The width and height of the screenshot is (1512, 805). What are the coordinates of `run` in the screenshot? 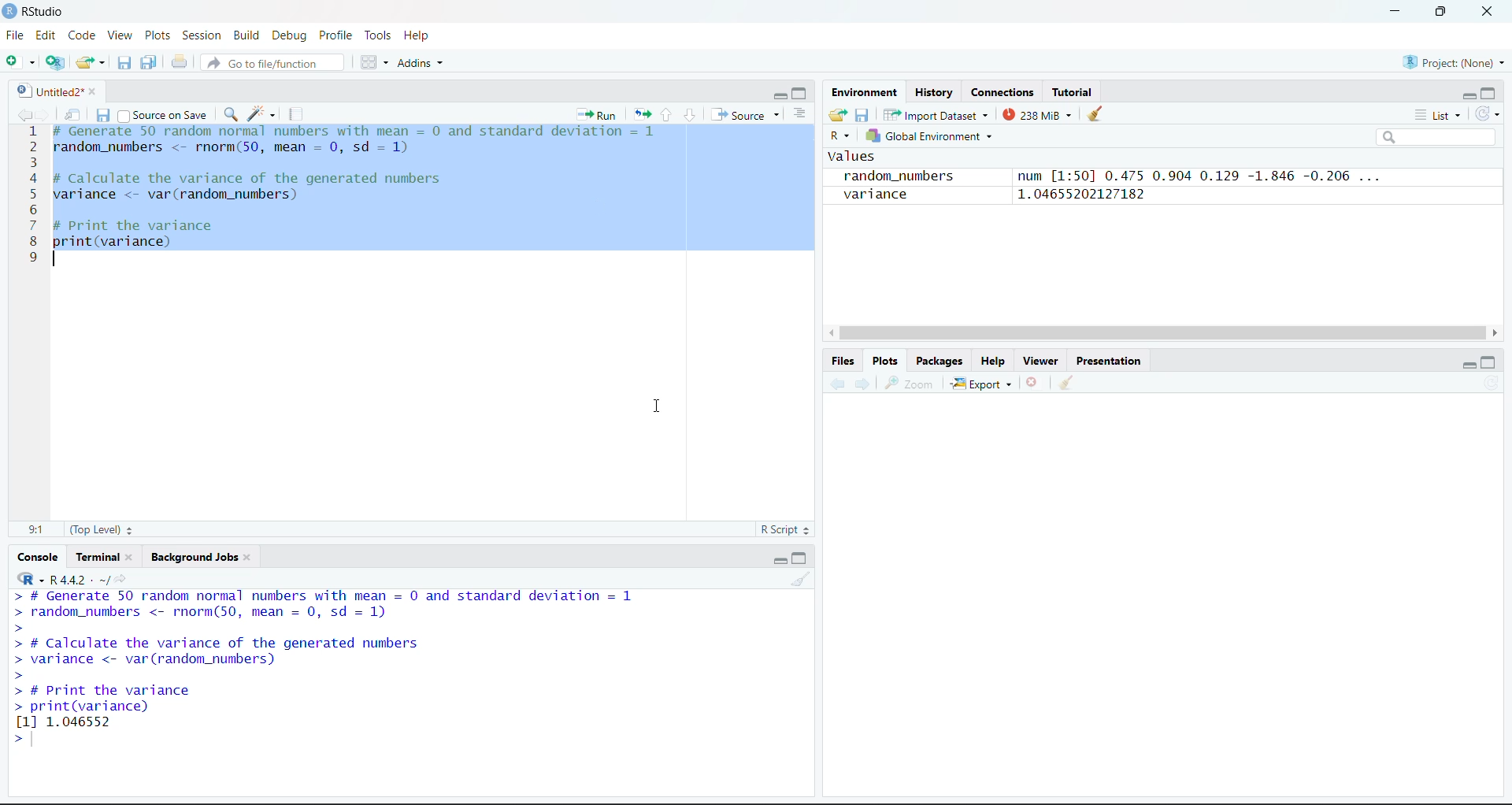 It's located at (597, 114).